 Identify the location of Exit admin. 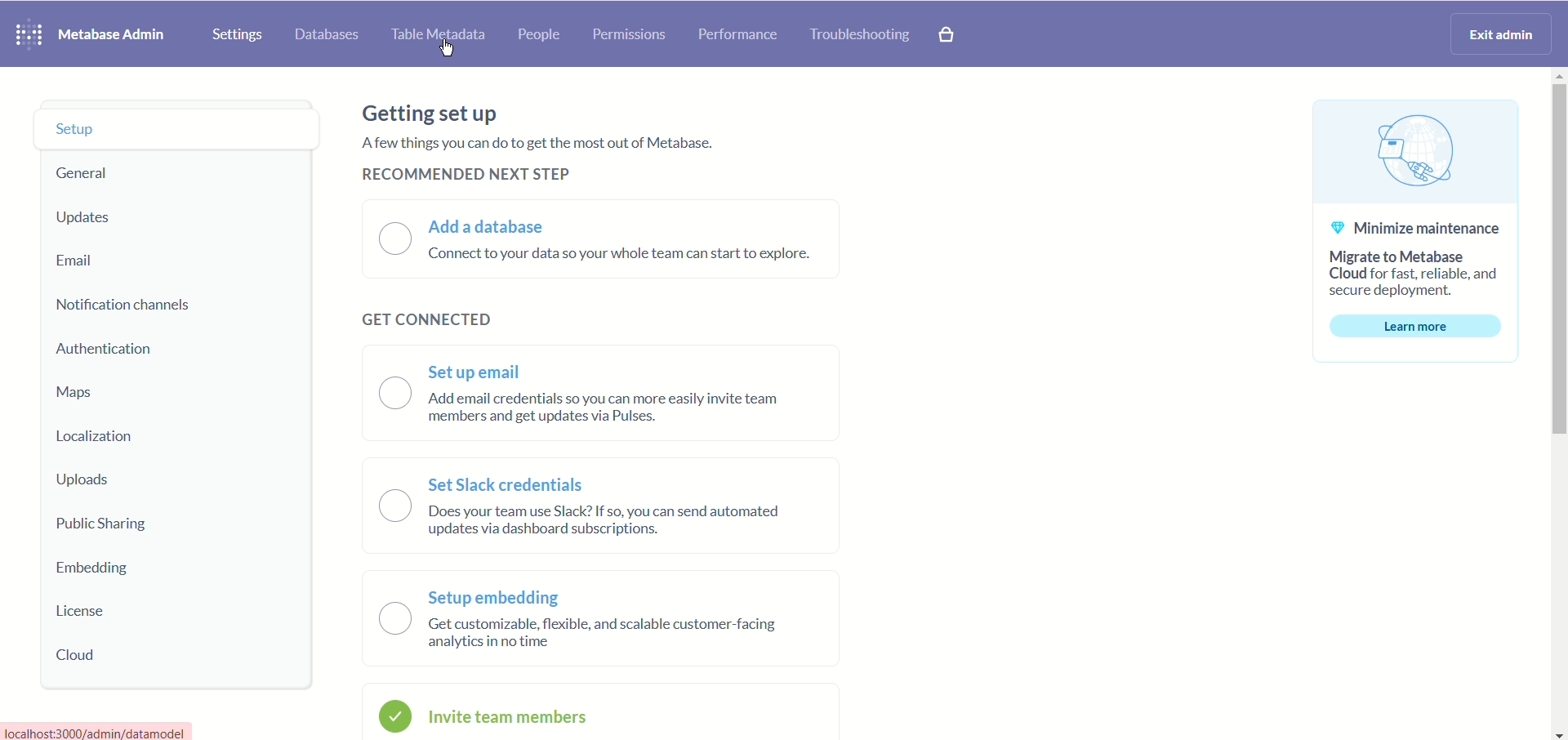
(1503, 33).